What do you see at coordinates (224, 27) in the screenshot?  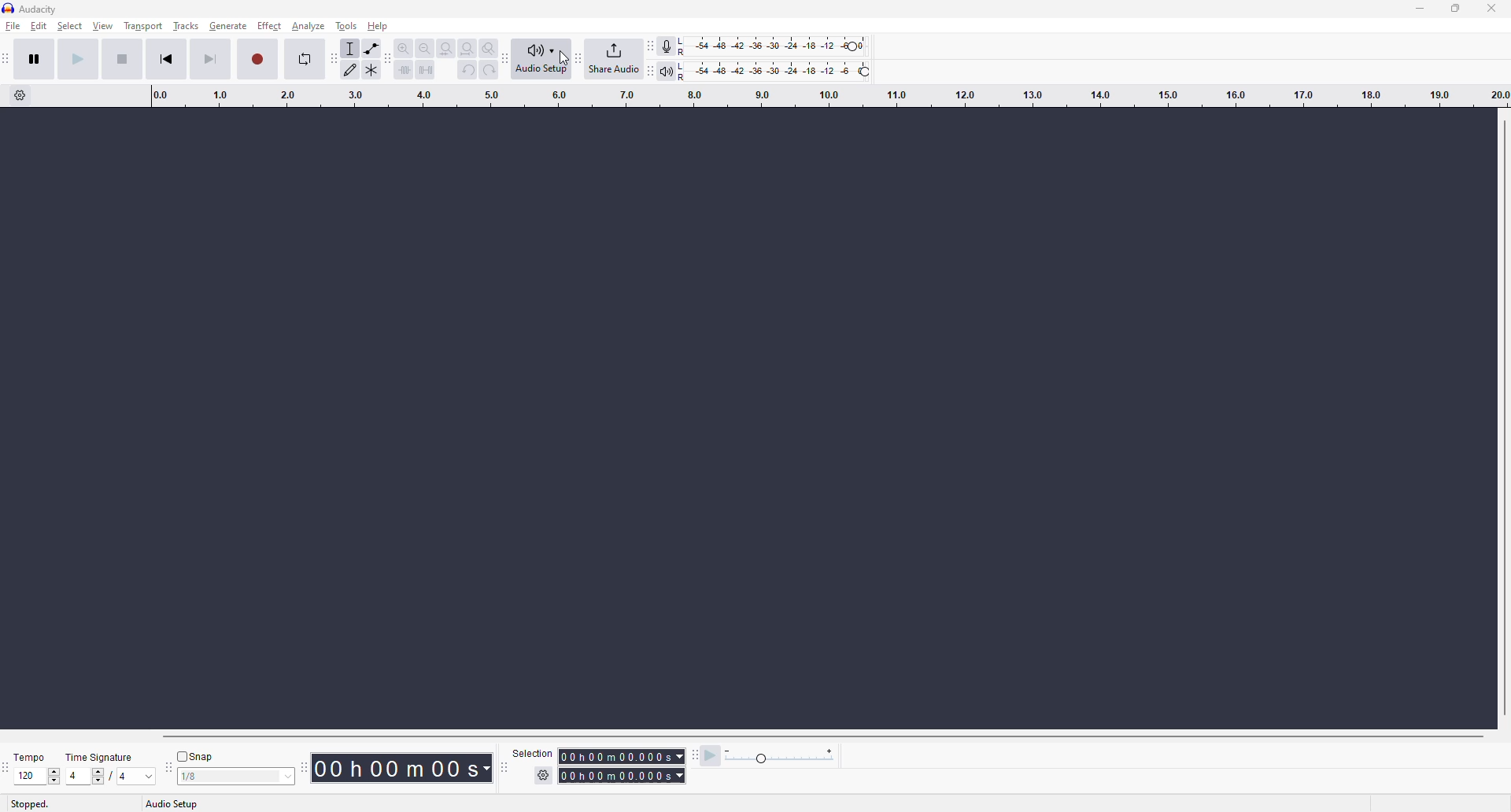 I see `generate` at bounding box center [224, 27].